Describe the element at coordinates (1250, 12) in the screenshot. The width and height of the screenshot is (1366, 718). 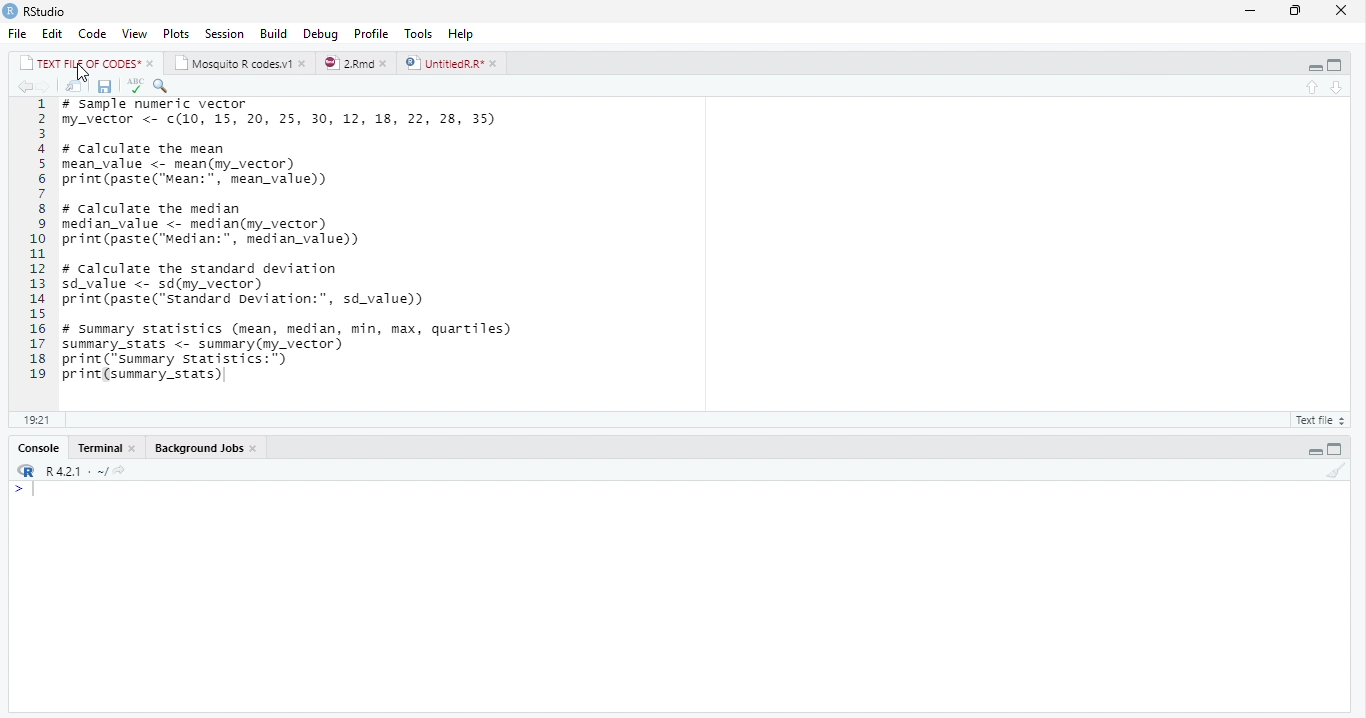
I see `minimize` at that location.